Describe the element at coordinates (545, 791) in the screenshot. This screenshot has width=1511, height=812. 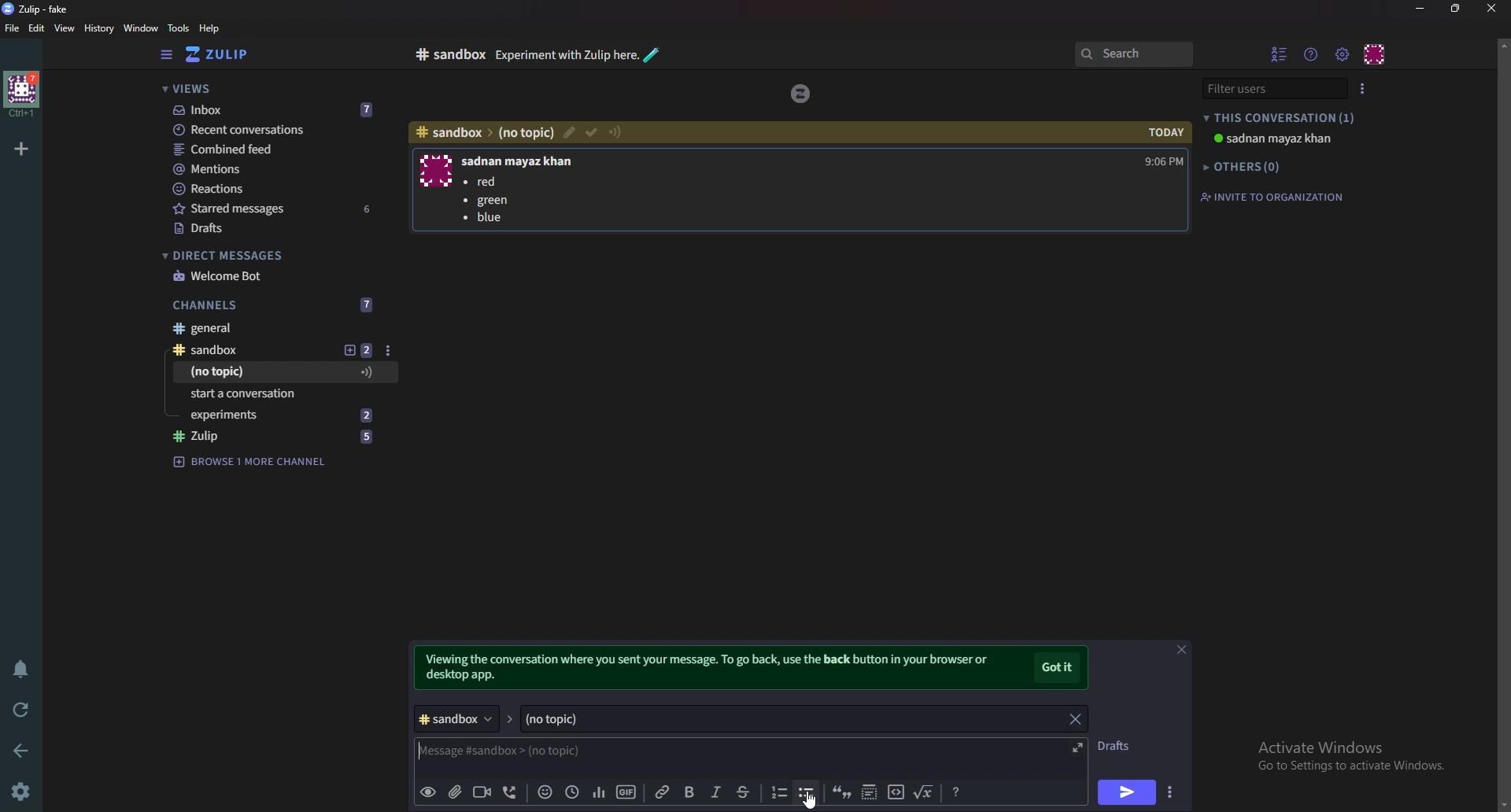
I see `Emoji` at that location.